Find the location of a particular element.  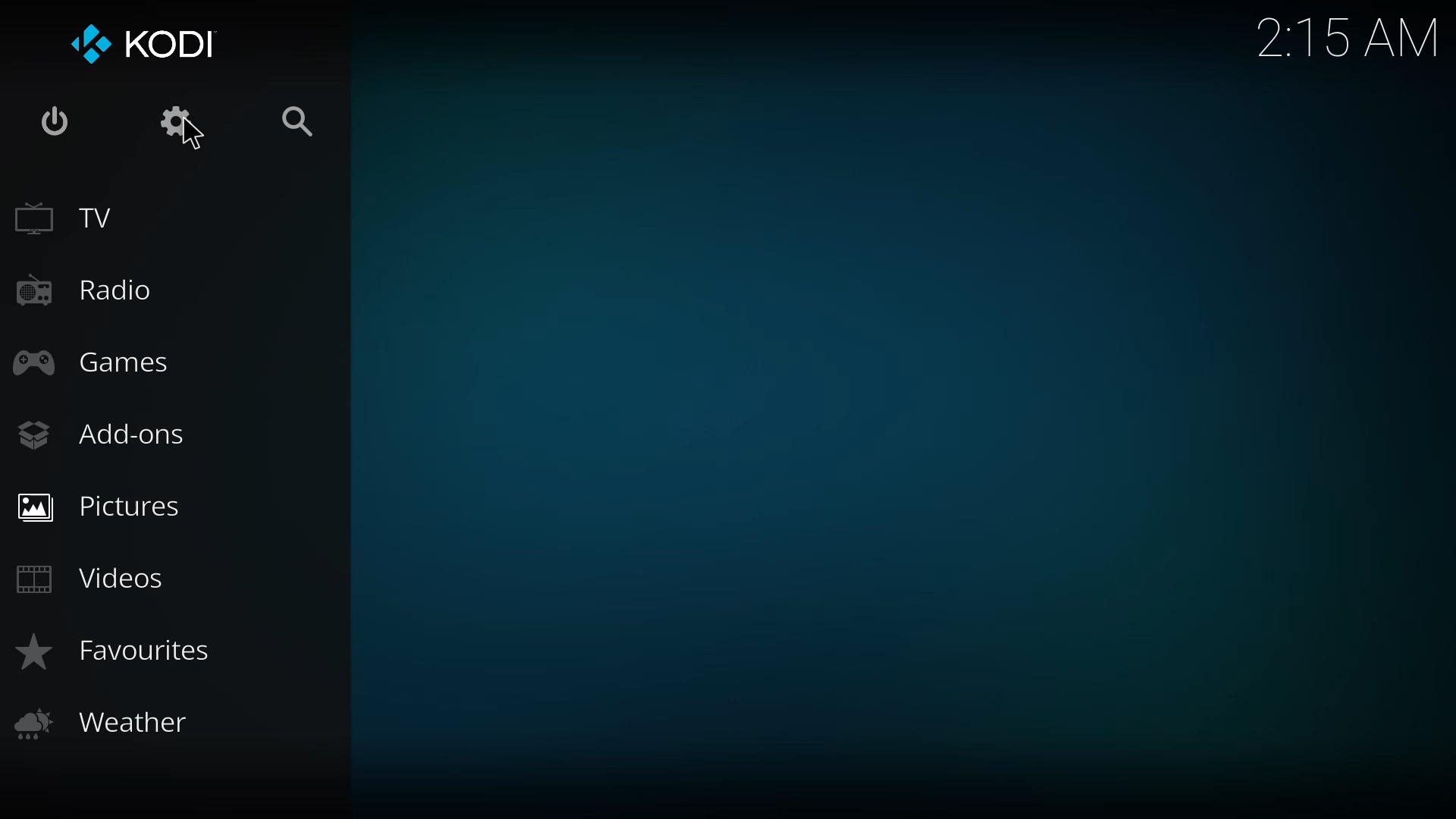

power is located at coordinates (58, 119).